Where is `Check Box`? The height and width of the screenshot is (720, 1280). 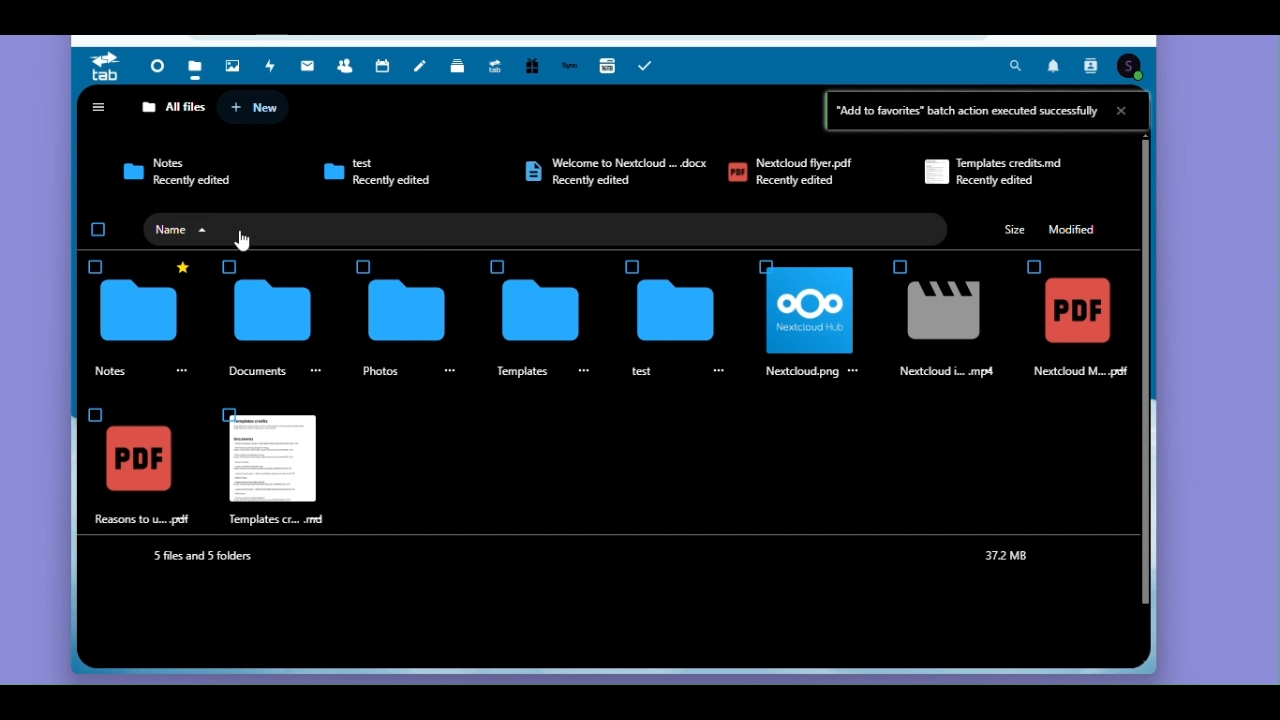 Check Box is located at coordinates (221, 410).